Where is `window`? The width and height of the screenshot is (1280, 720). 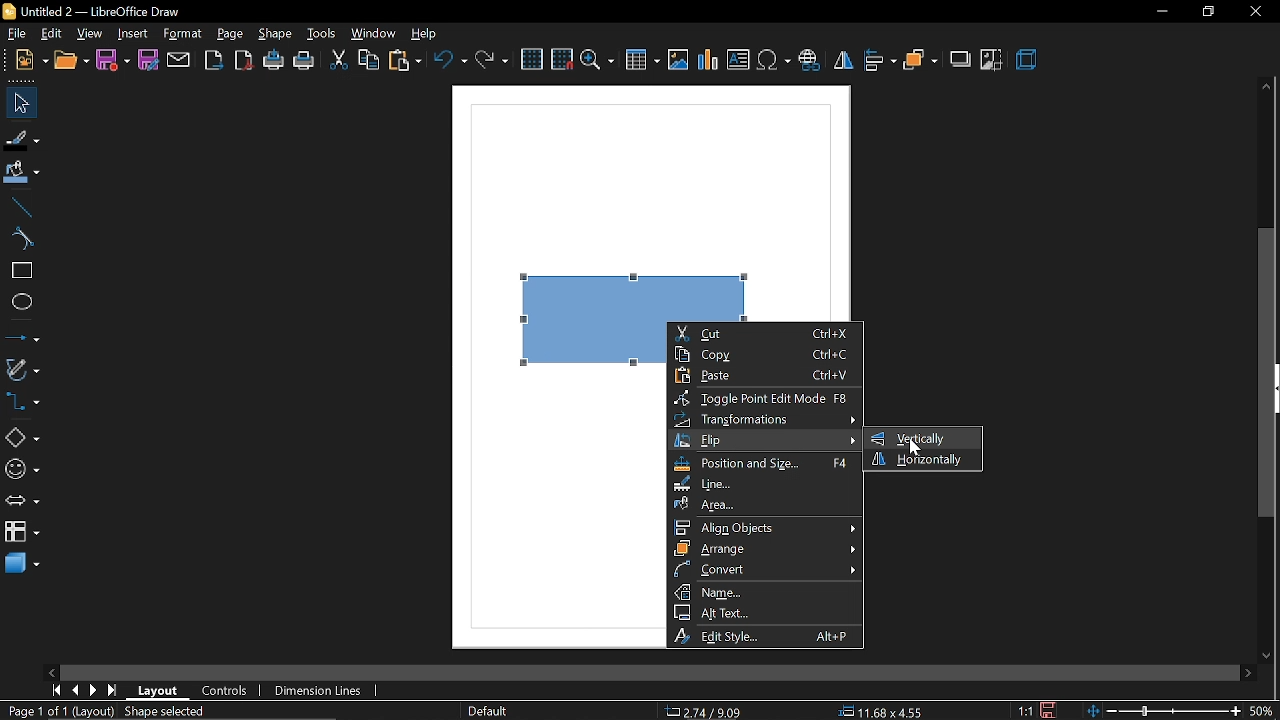
window is located at coordinates (375, 33).